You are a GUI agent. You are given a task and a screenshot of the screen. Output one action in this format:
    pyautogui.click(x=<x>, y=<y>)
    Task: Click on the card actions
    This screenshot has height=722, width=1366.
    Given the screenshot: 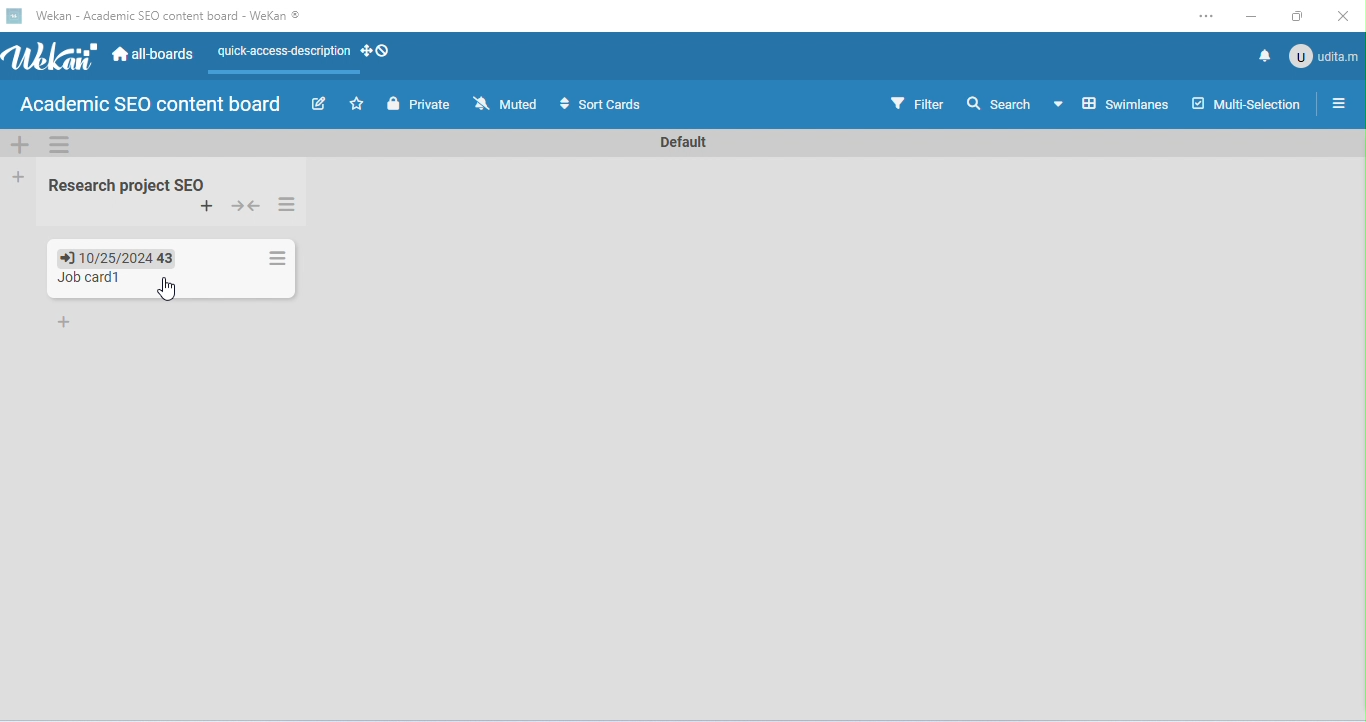 What is the action you would take?
    pyautogui.click(x=277, y=258)
    